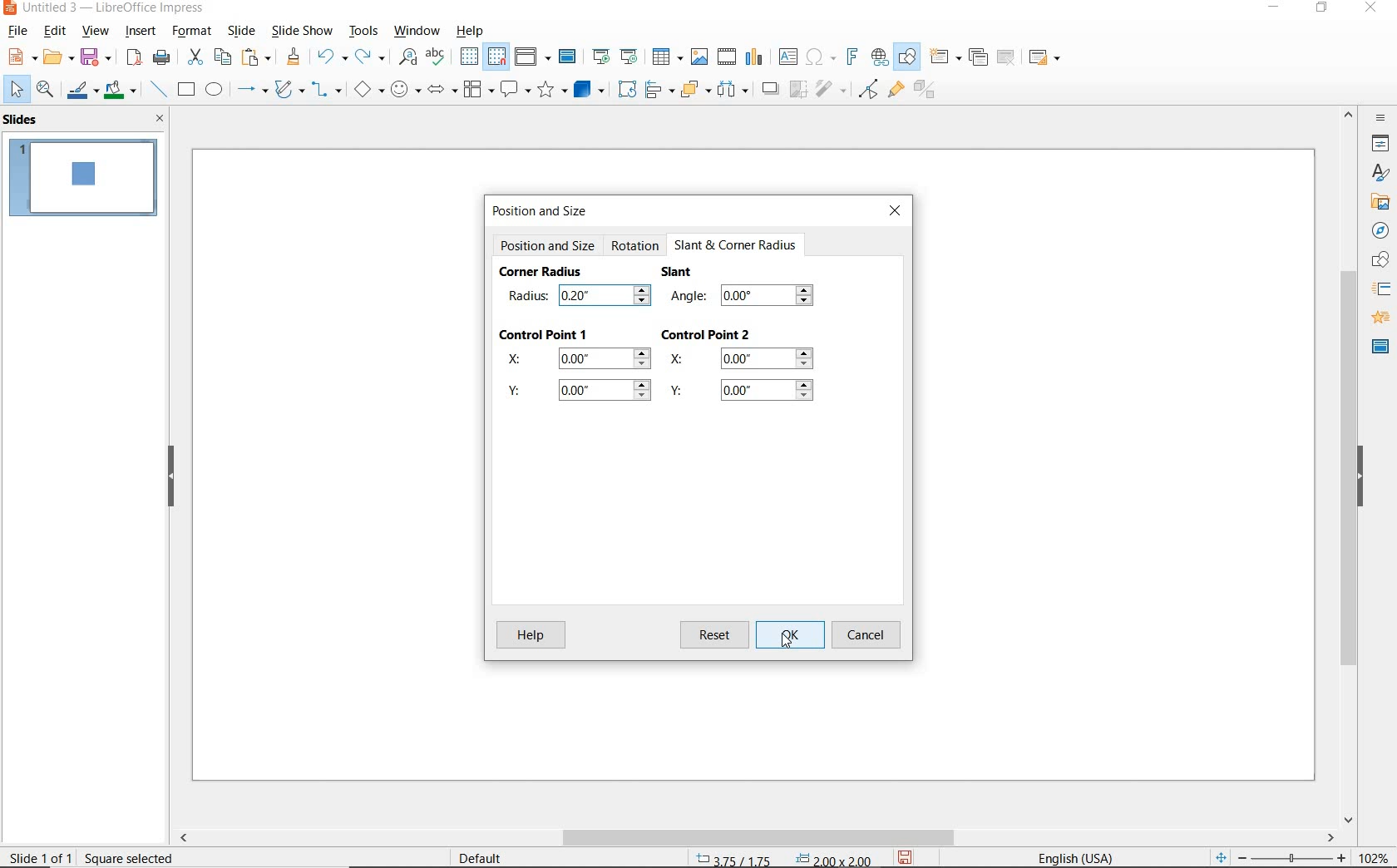 This screenshot has height=868, width=1397. I want to click on snap to grid, so click(499, 57).